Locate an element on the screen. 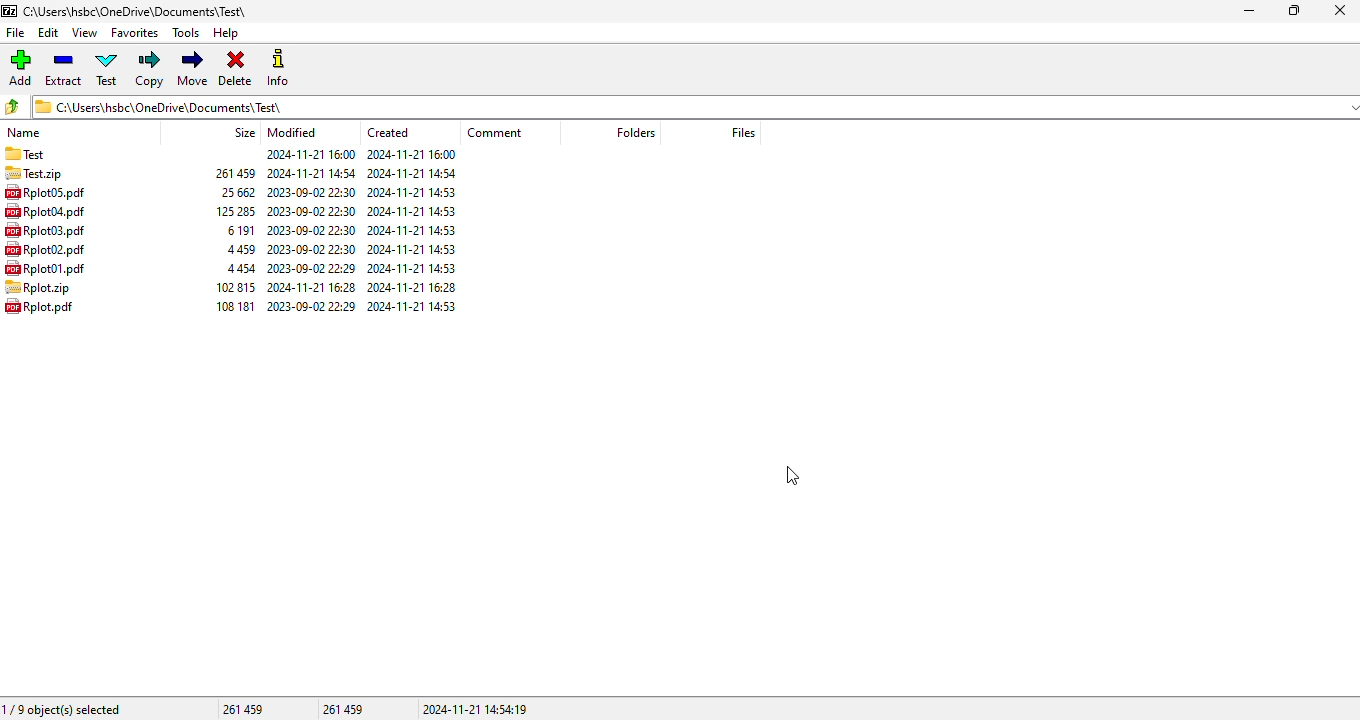 The width and height of the screenshot is (1360, 720). size is located at coordinates (239, 249).